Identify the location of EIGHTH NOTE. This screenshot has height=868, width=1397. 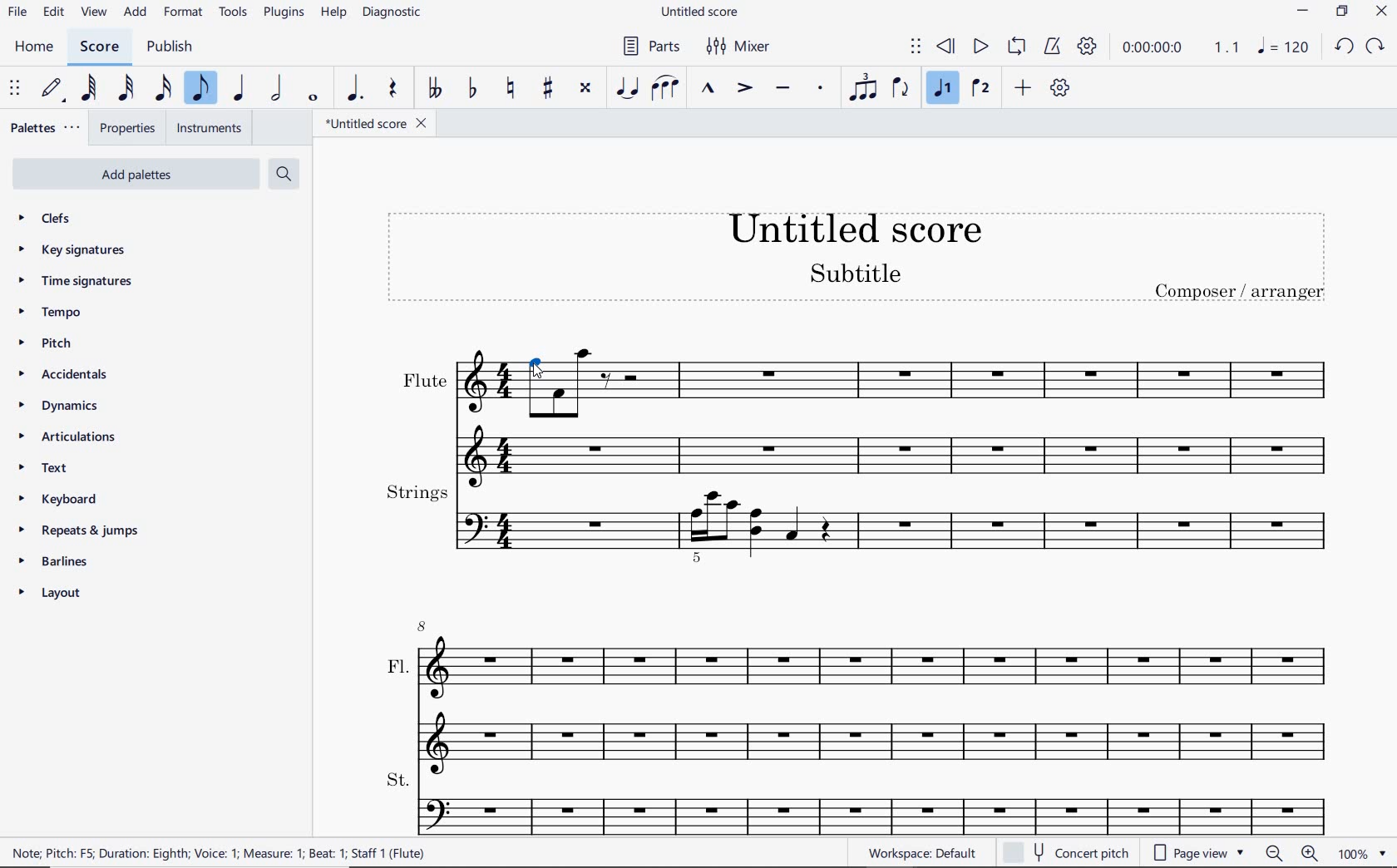
(201, 89).